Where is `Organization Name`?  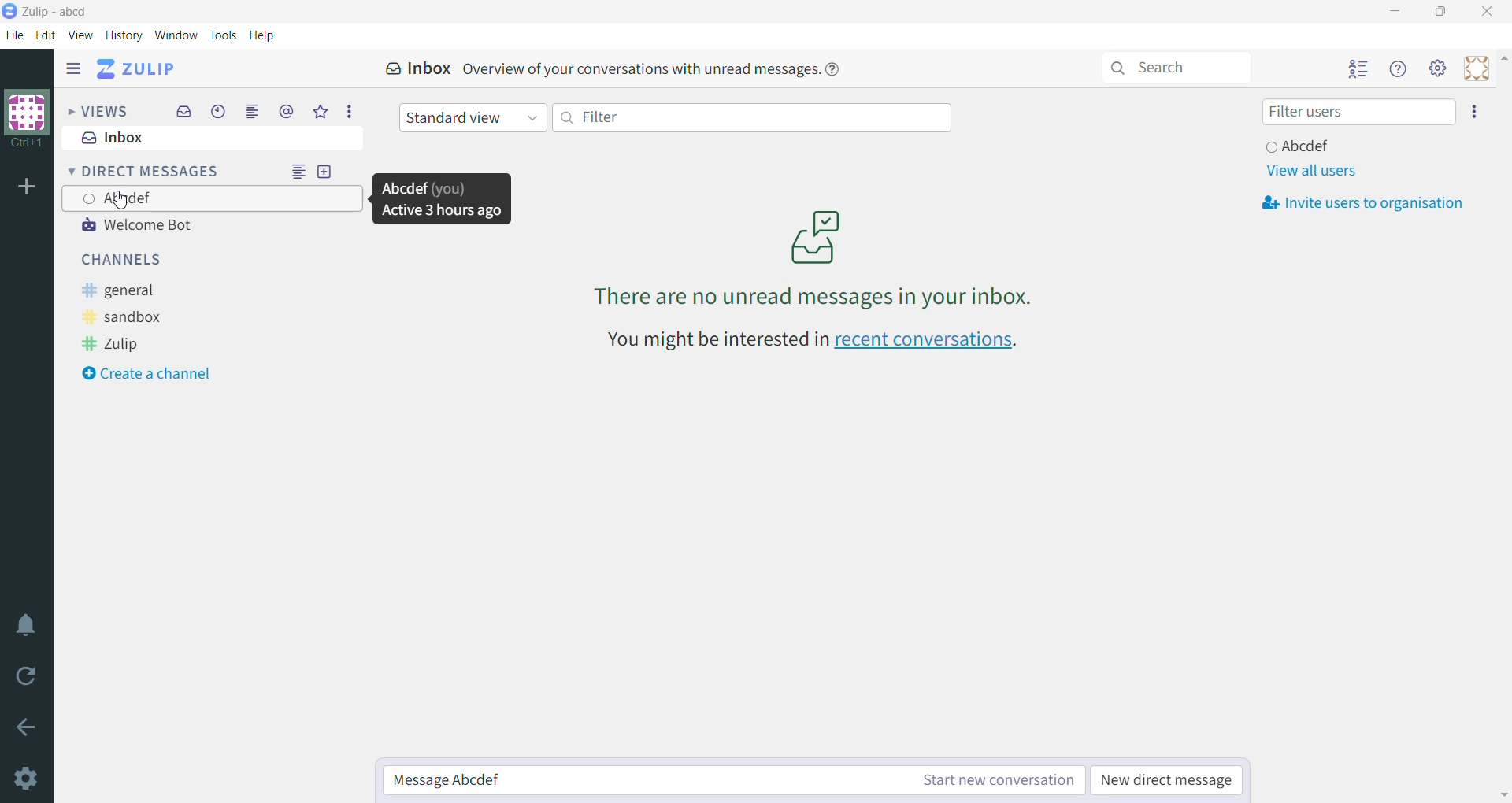
Organization Name is located at coordinates (27, 189).